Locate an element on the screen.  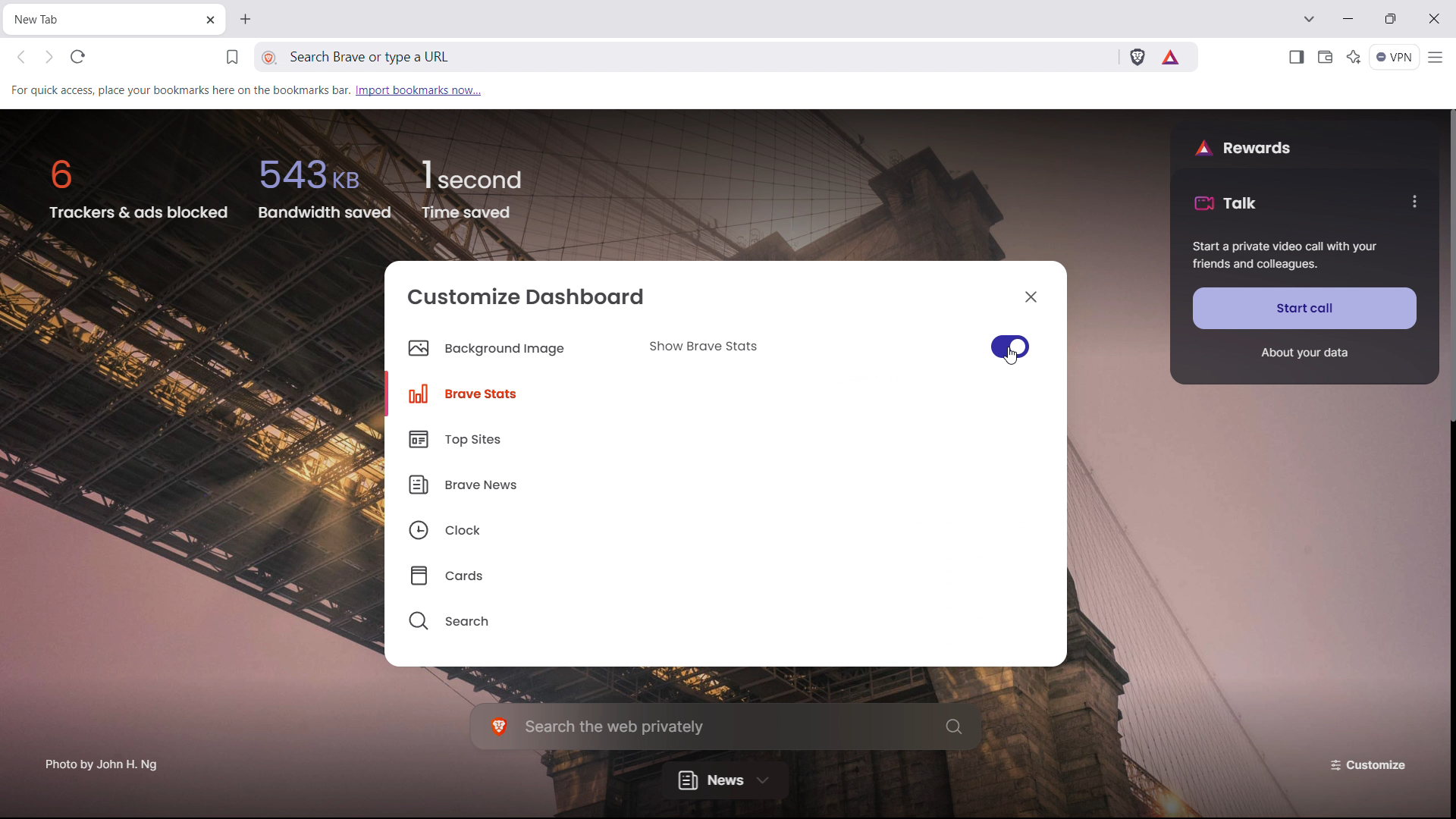
close is located at coordinates (1031, 296).